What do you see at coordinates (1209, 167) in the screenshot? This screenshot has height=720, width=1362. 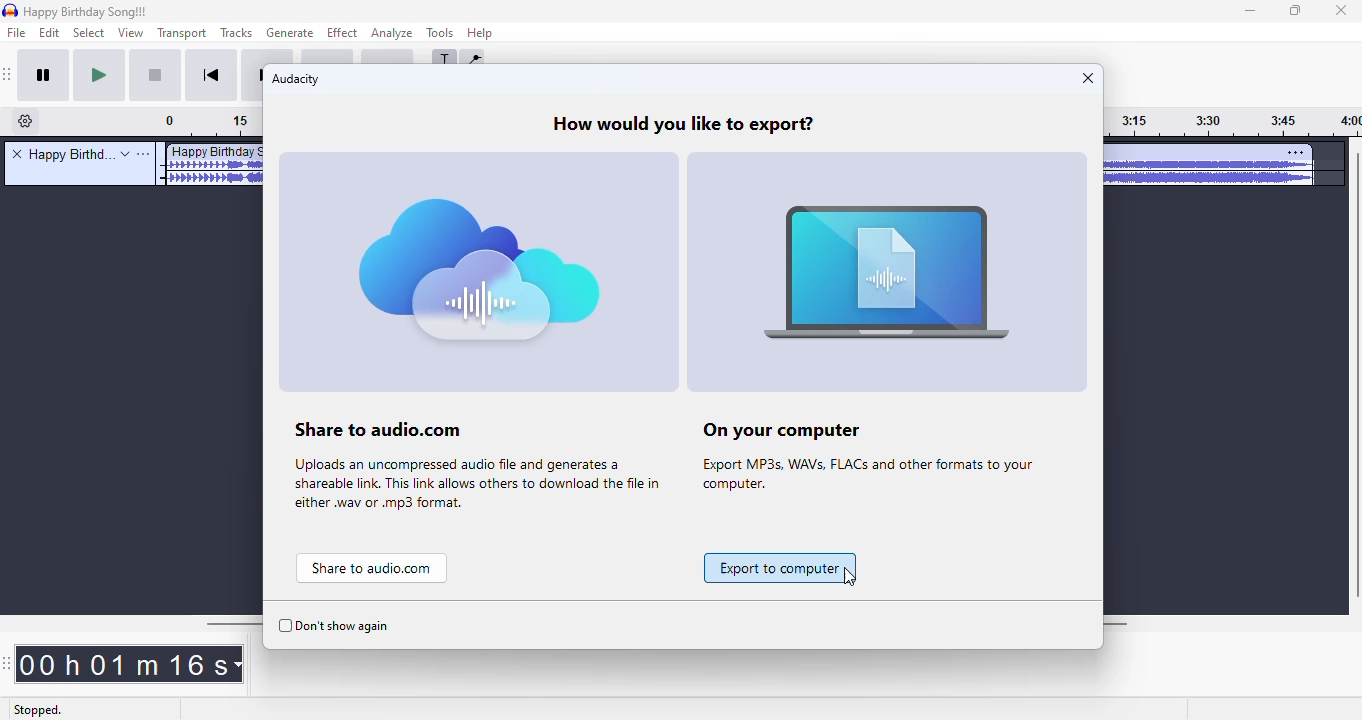 I see `audio track` at bounding box center [1209, 167].